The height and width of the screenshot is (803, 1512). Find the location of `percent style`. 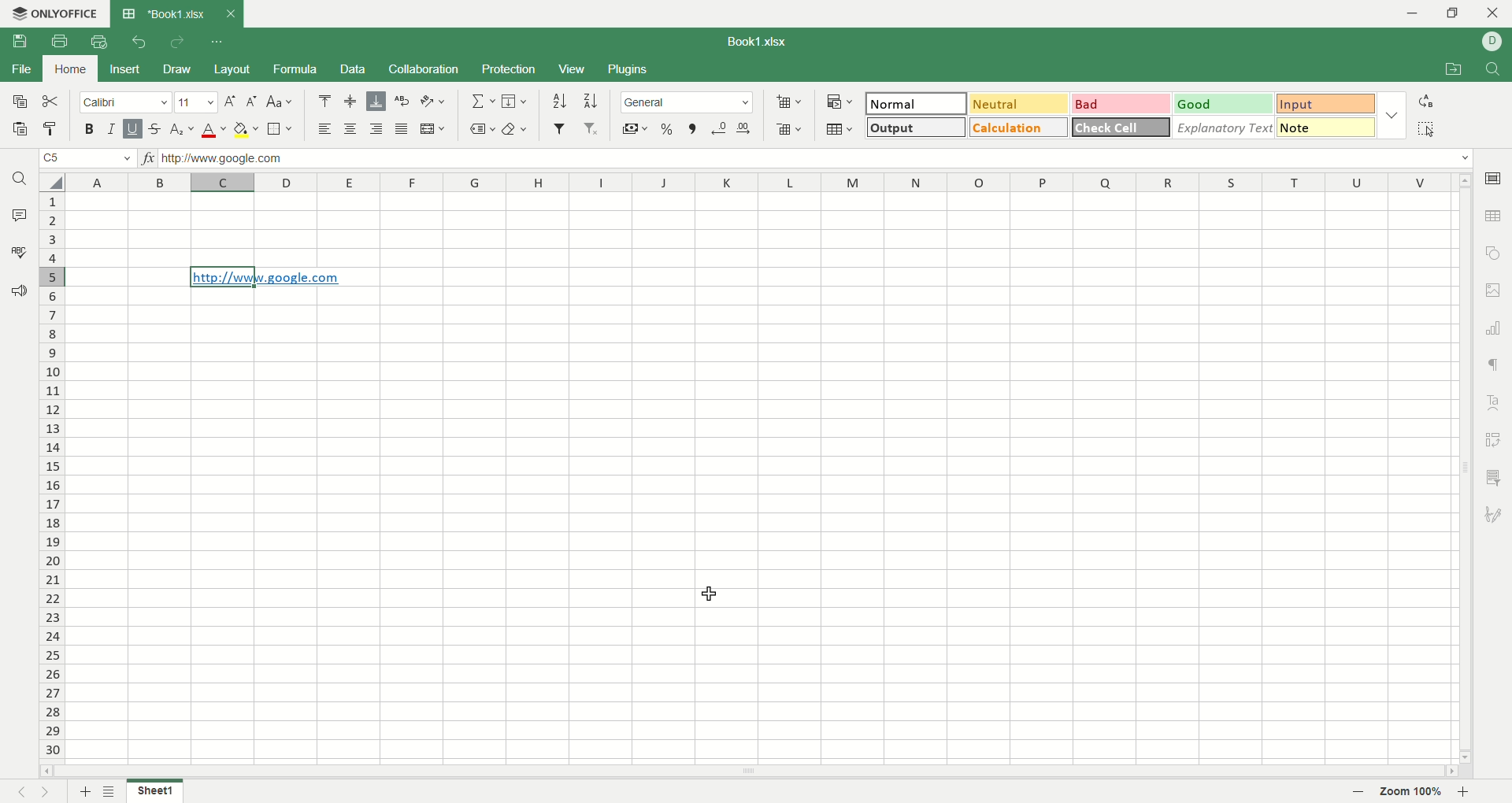

percent style is located at coordinates (668, 128).